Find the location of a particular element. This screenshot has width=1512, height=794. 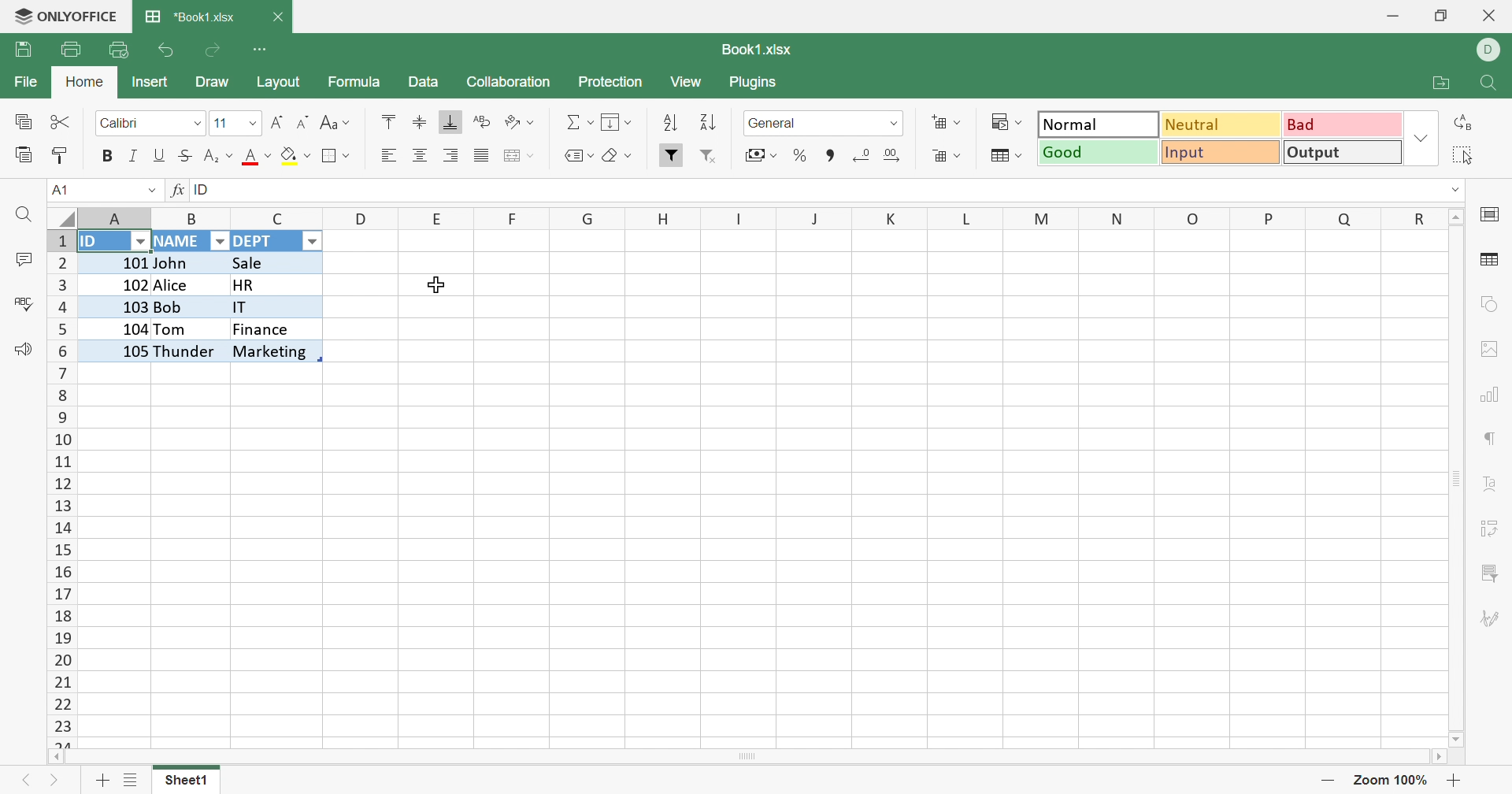

Decrement font size is located at coordinates (305, 123).